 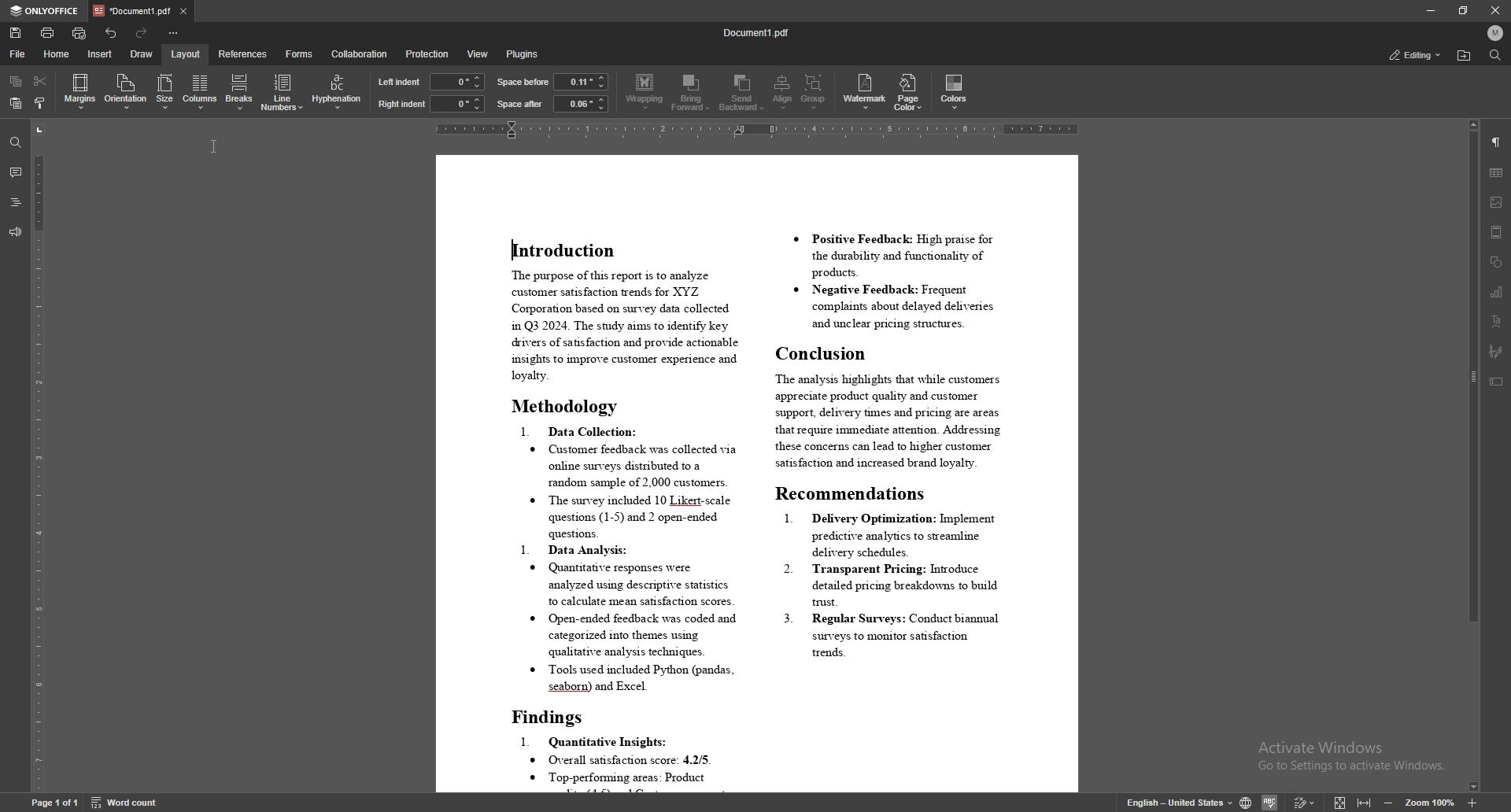 I want to click on resize, so click(x=1464, y=10).